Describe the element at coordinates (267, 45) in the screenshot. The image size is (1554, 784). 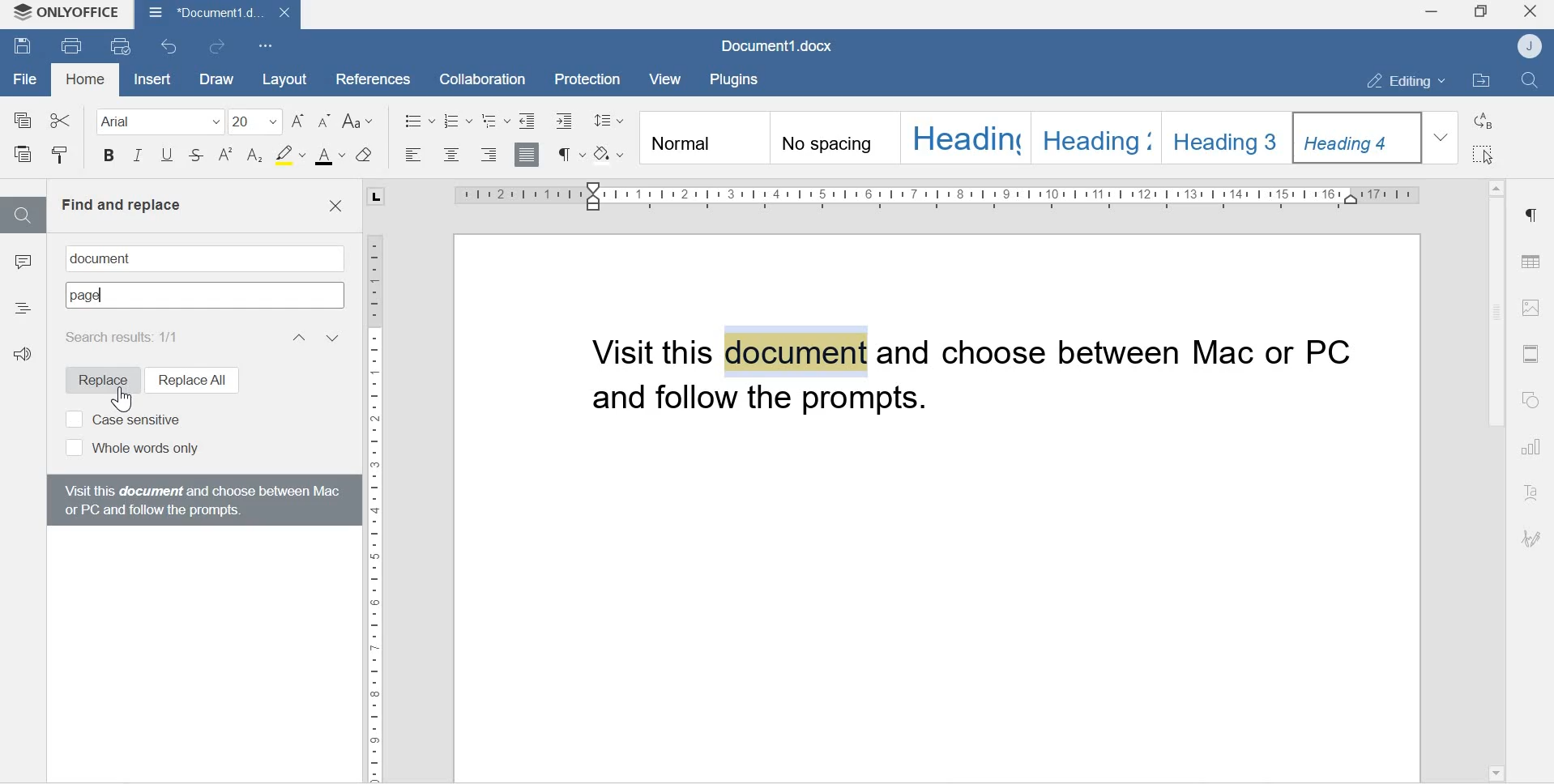
I see `Customize Quick Access Toolbar` at that location.